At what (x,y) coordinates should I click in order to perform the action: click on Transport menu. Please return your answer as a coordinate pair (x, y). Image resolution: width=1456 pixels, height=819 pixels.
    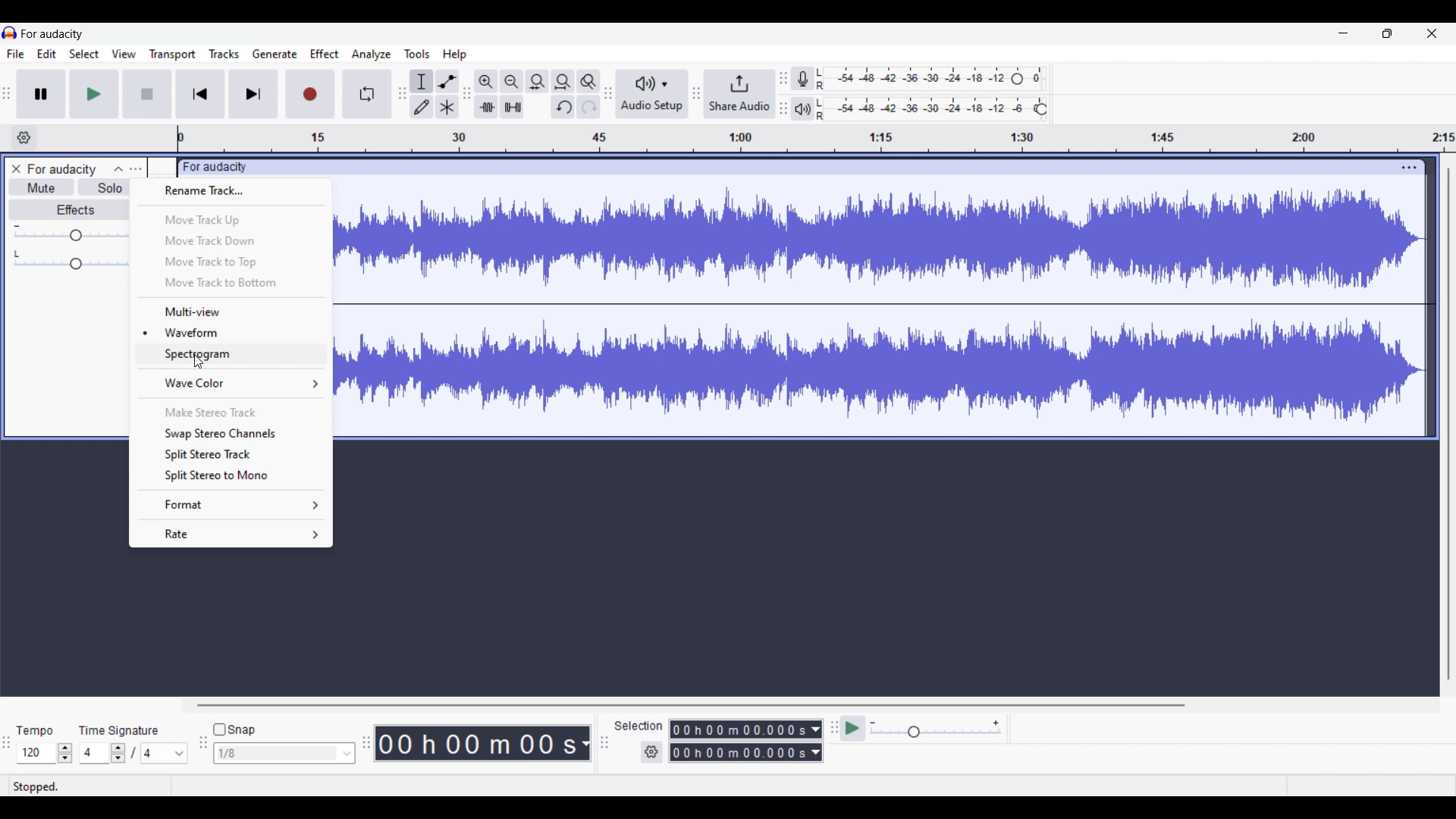
    Looking at the image, I should click on (173, 55).